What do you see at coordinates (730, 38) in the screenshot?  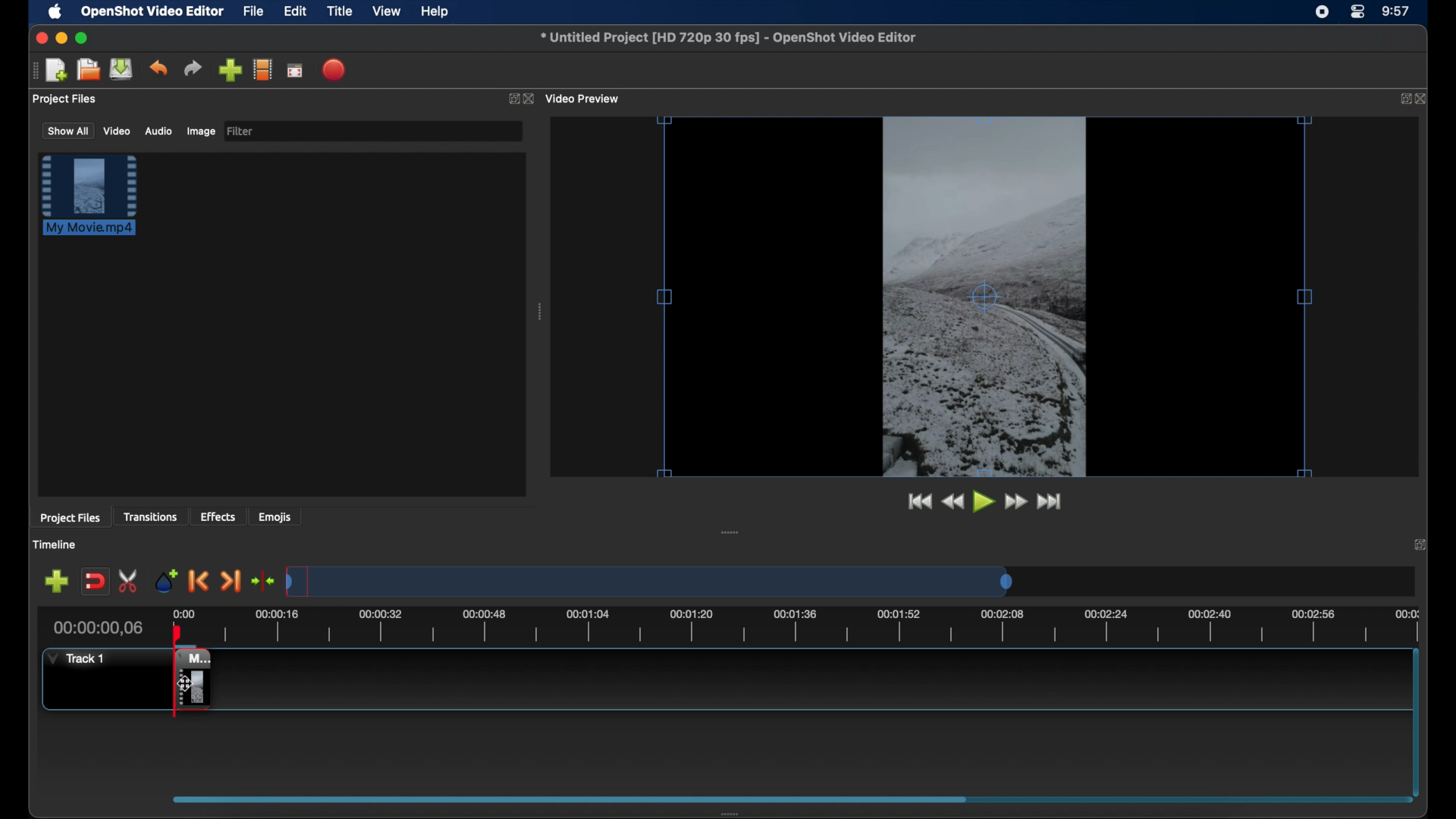 I see `file name` at bounding box center [730, 38].